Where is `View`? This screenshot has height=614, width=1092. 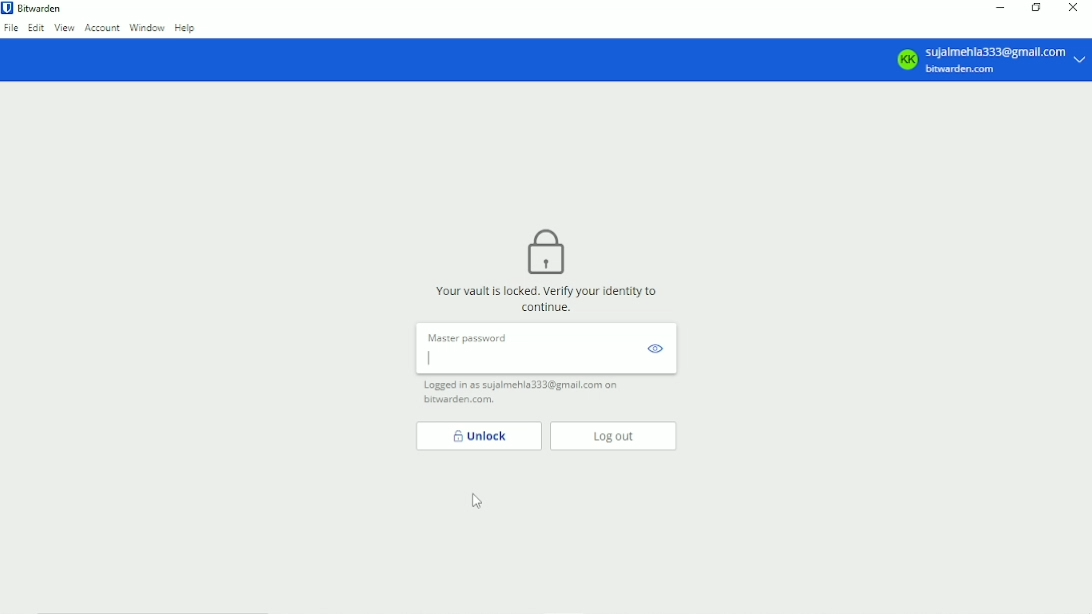 View is located at coordinates (64, 28).